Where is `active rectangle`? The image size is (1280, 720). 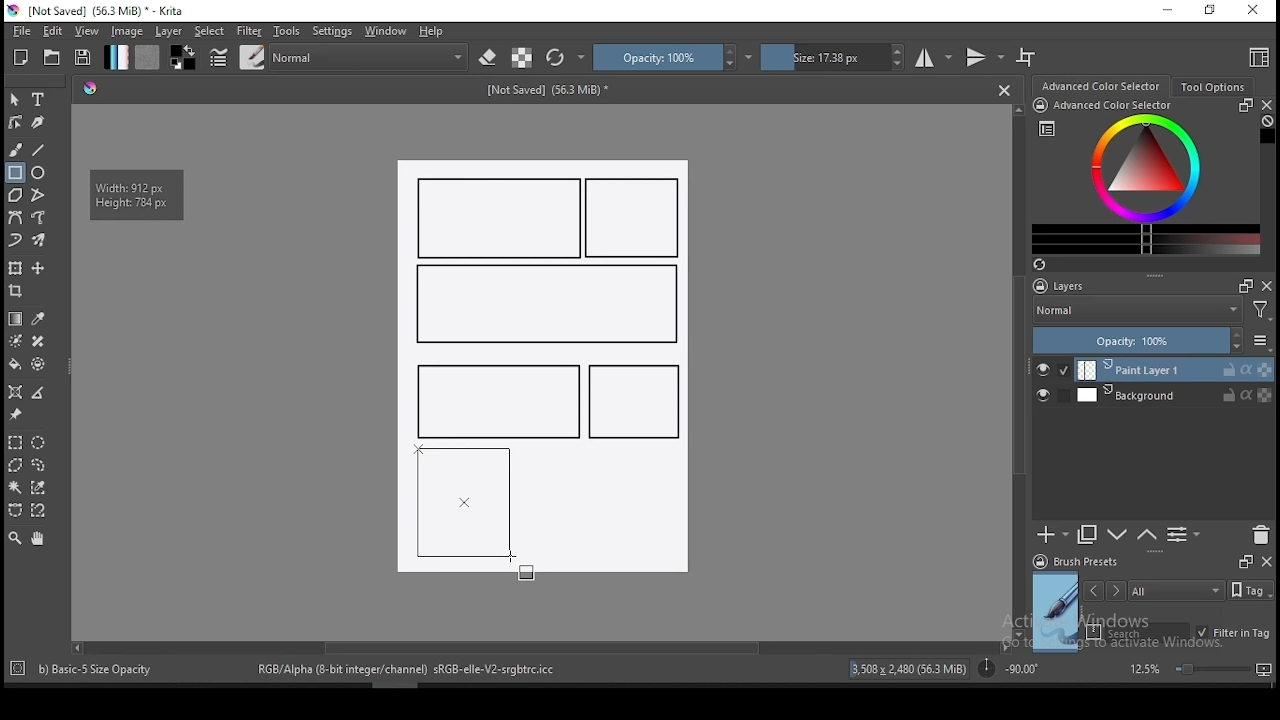 active rectangle is located at coordinates (464, 502).